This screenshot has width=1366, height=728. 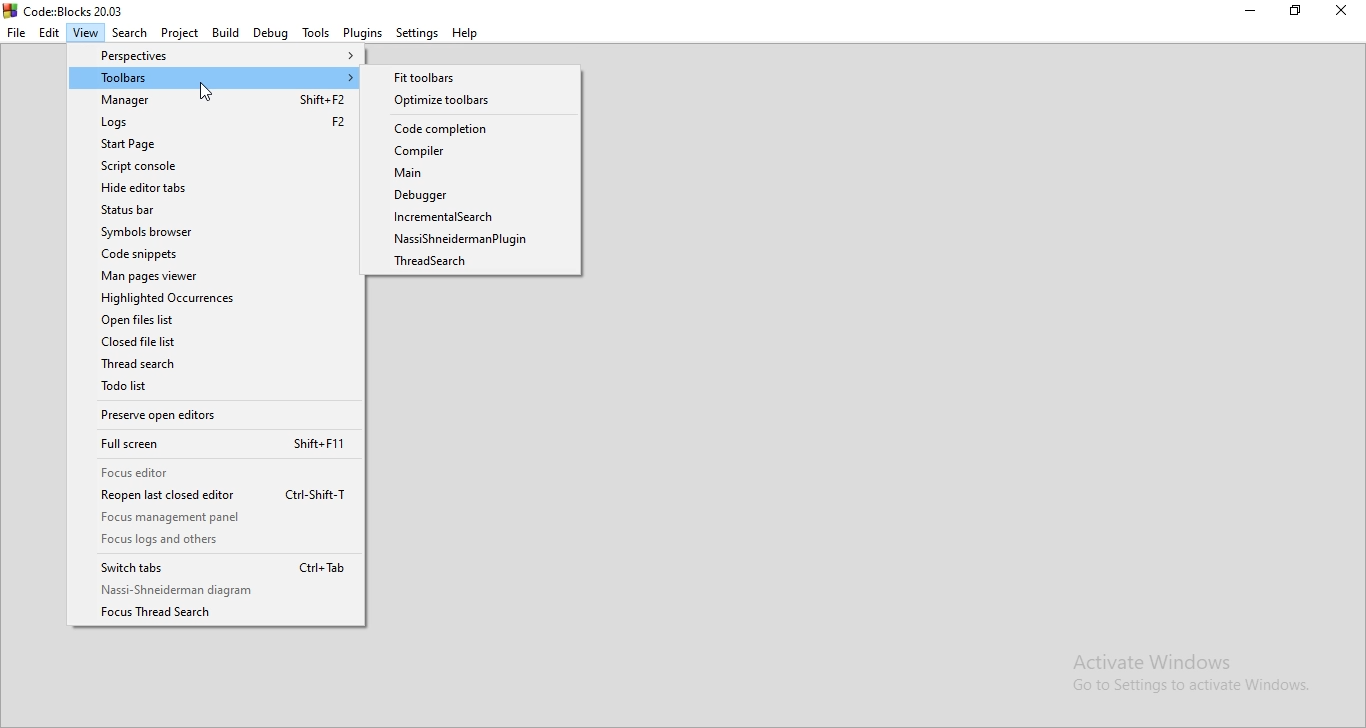 What do you see at coordinates (313, 33) in the screenshot?
I see `Tools ` at bounding box center [313, 33].